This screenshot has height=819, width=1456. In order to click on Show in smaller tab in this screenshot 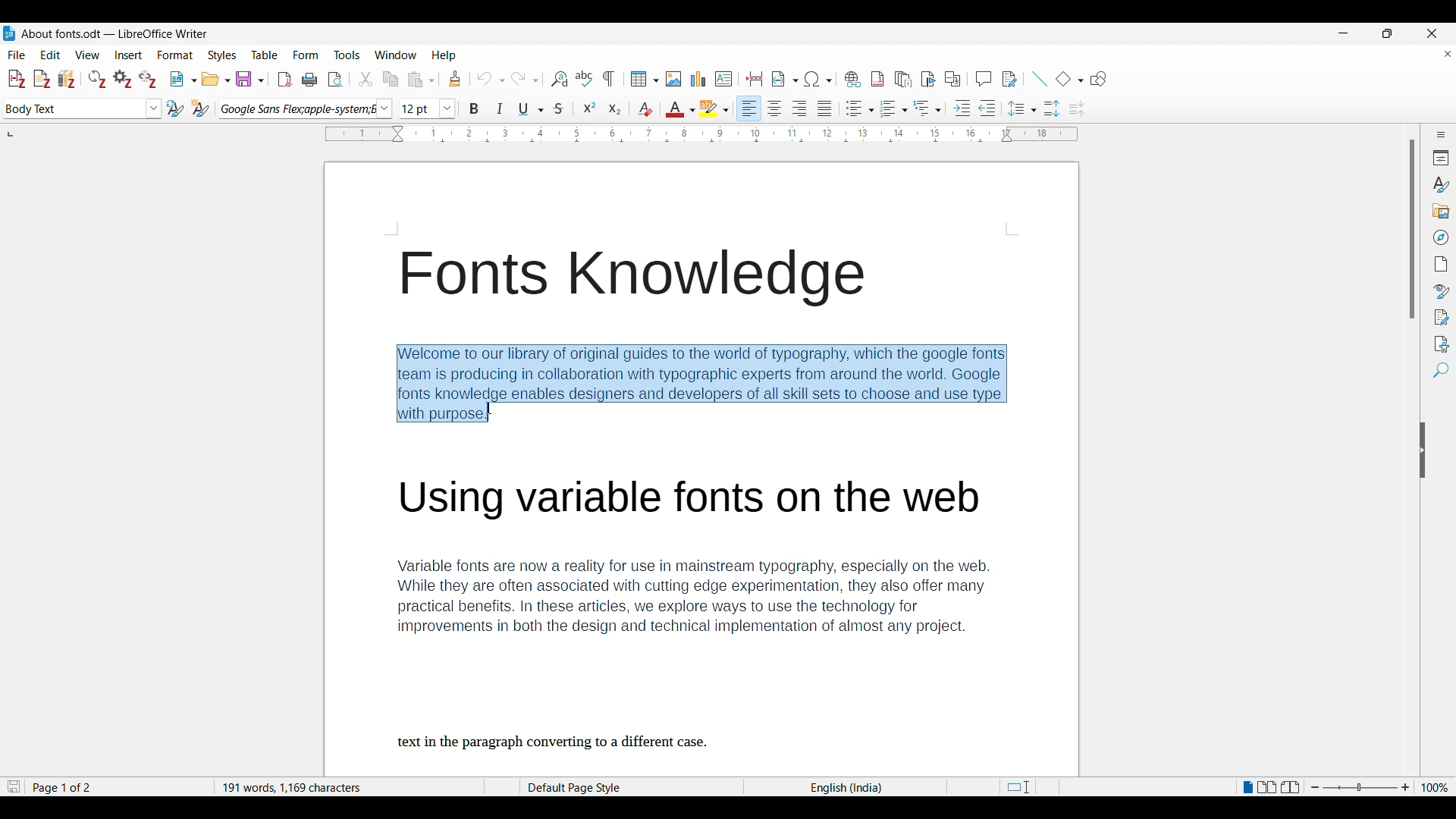, I will do `click(1388, 33)`.